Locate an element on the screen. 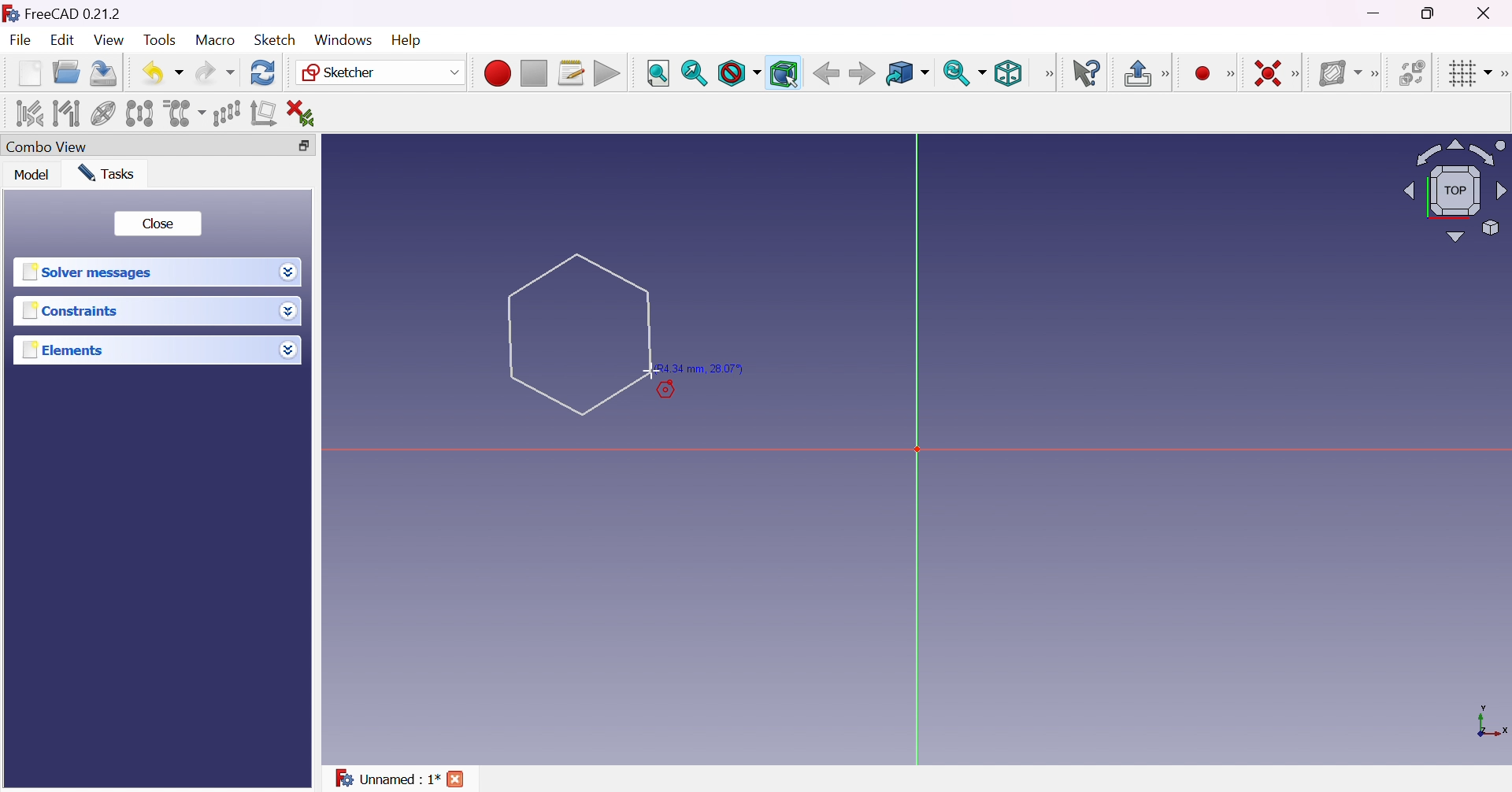  [Sketcher geometries]] is located at coordinates (1230, 74).